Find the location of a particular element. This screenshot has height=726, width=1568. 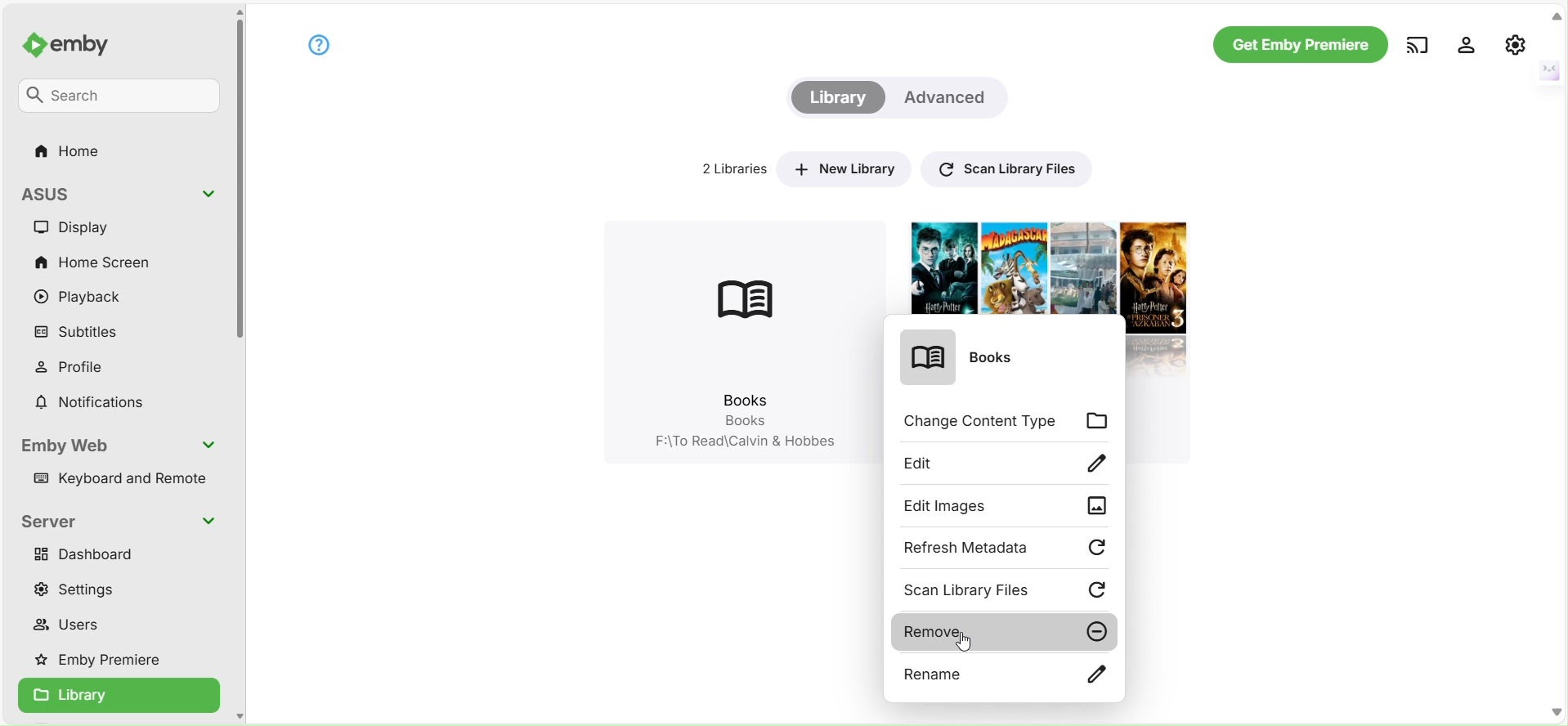

Emby Premiere is located at coordinates (105, 661).